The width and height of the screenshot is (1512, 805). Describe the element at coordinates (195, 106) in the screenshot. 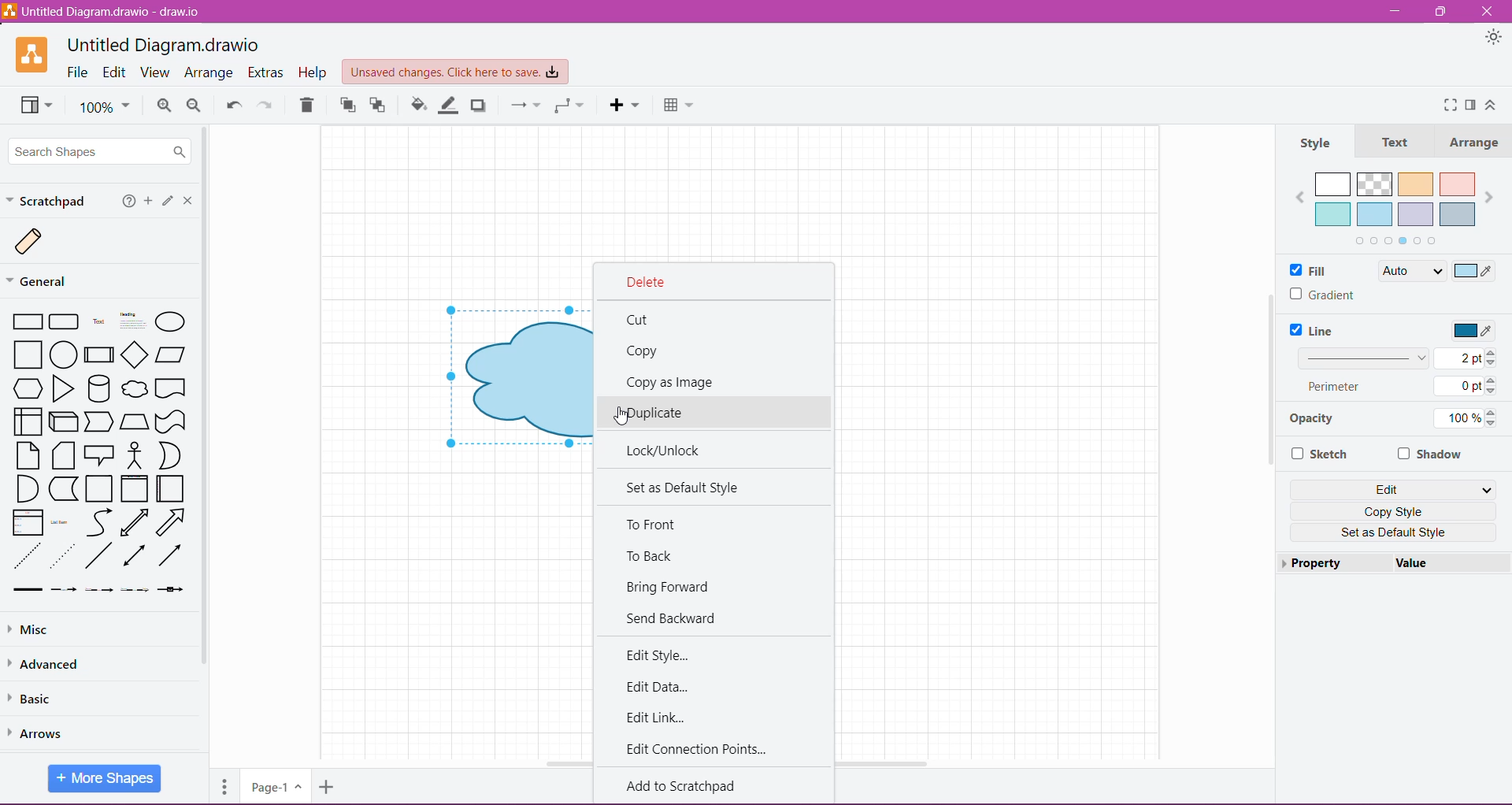

I see `Zoom Out` at that location.